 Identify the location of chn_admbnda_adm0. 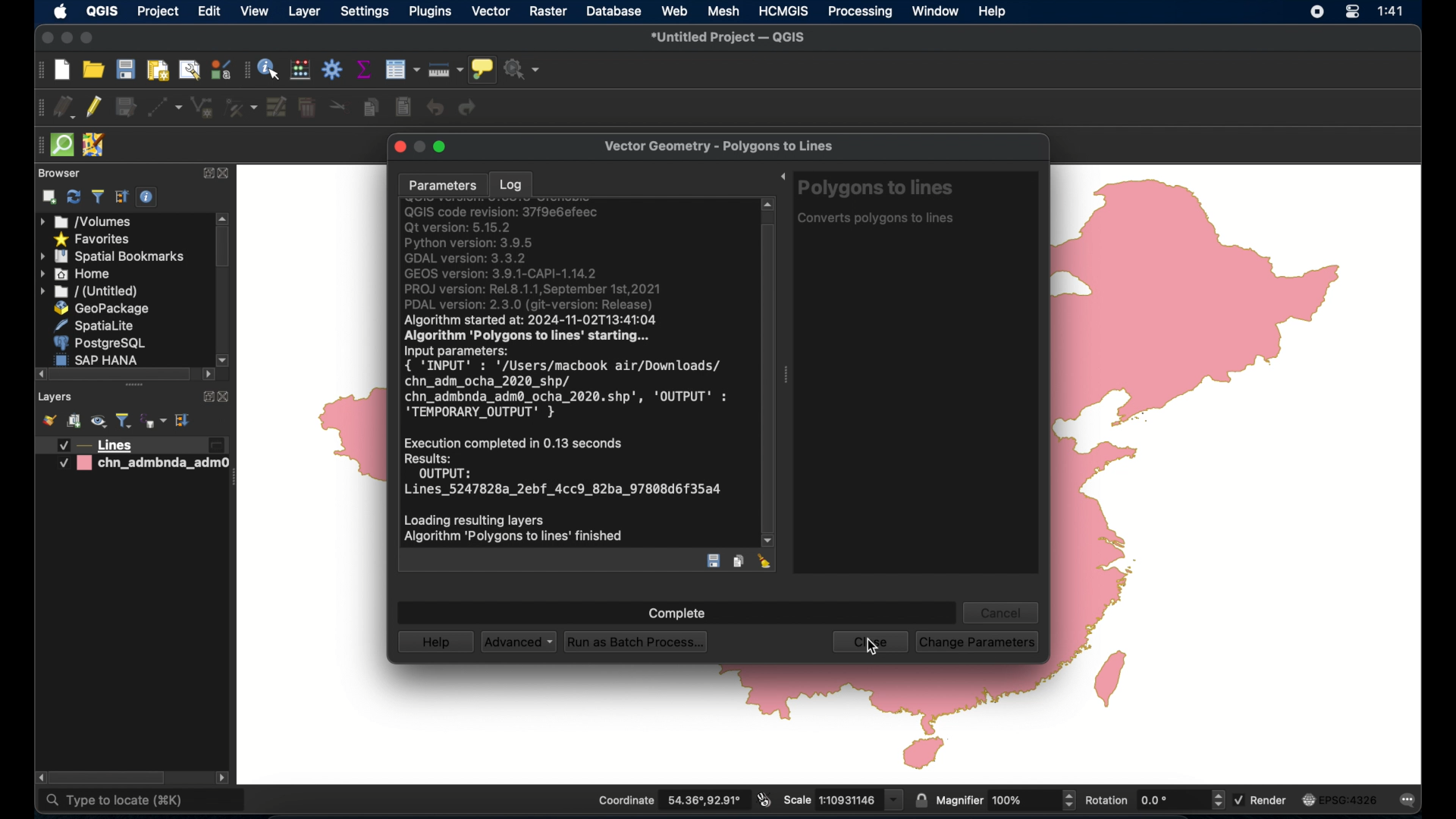
(143, 467).